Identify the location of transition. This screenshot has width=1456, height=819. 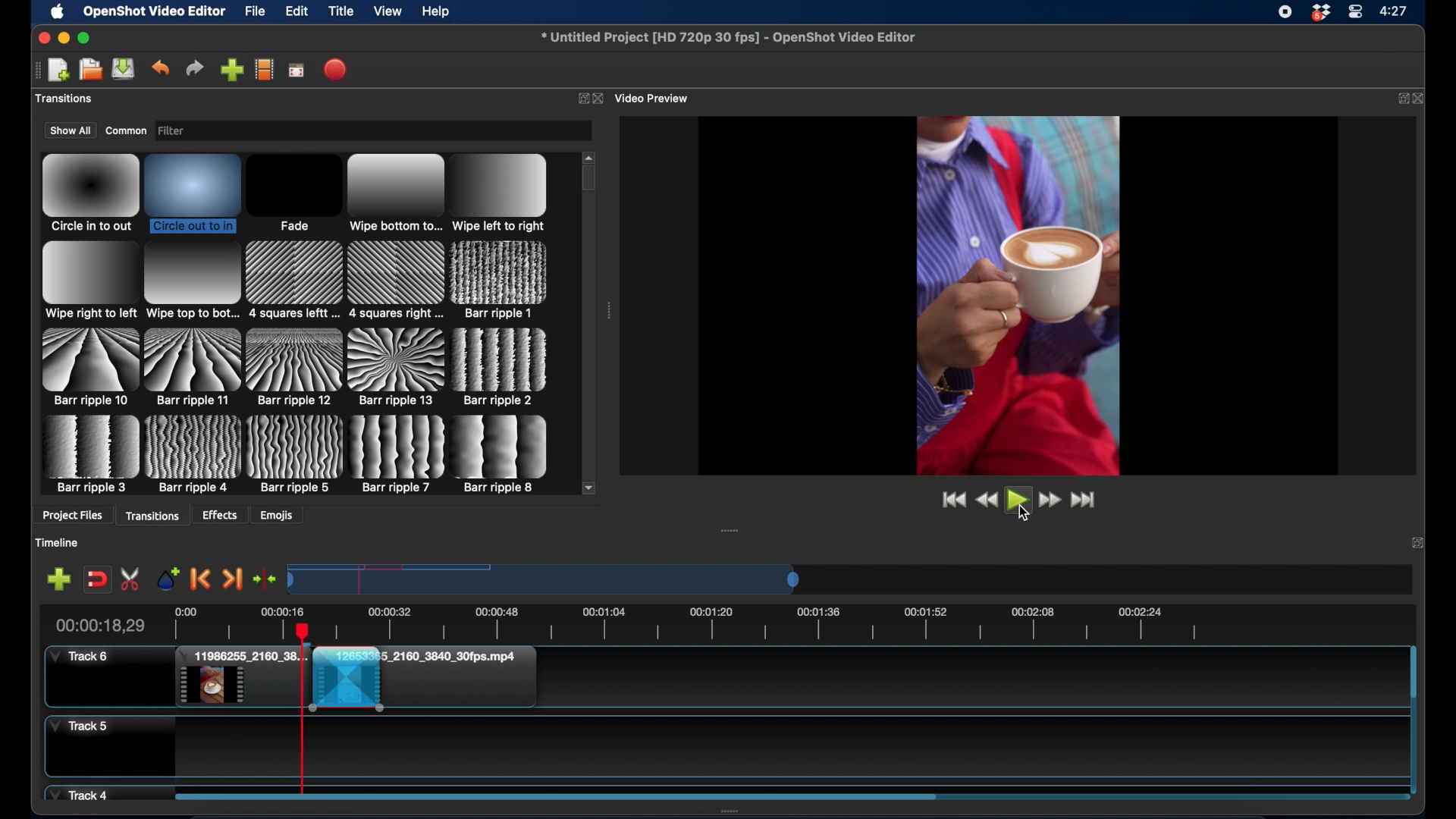
(295, 453).